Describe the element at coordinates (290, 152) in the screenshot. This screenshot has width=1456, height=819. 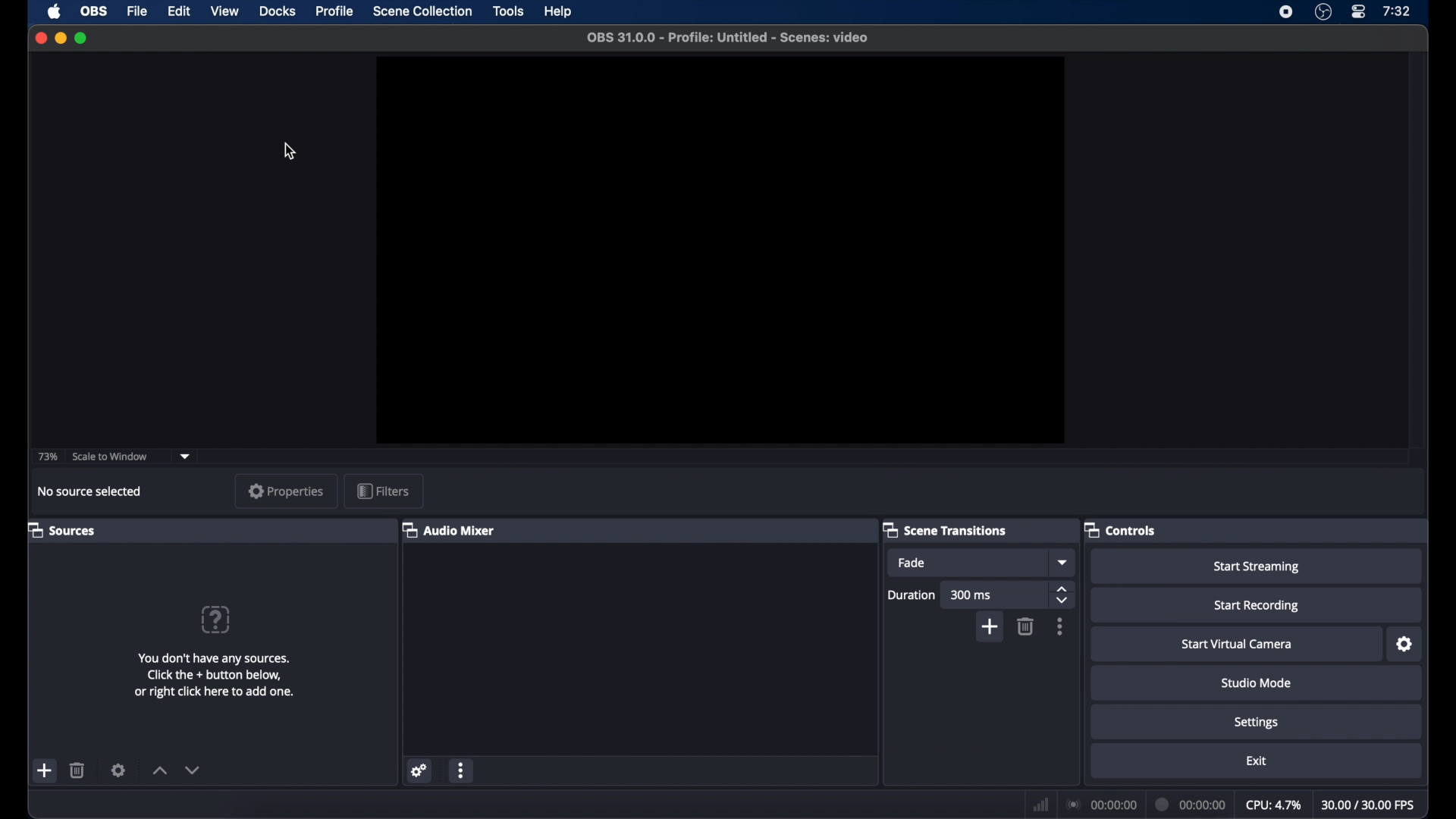
I see `cursor` at that location.